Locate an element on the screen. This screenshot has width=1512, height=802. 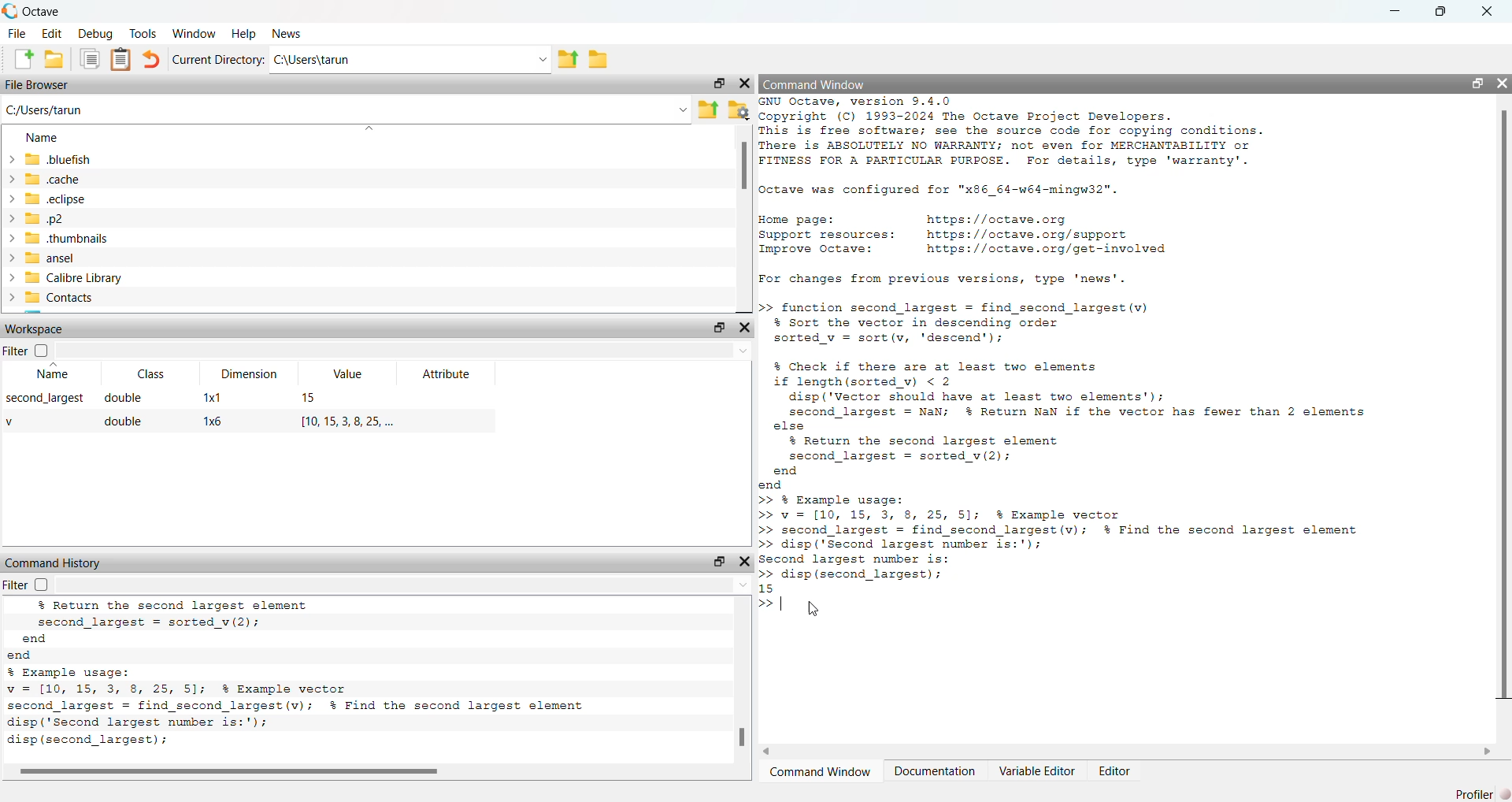
unlock widget is located at coordinates (717, 328).